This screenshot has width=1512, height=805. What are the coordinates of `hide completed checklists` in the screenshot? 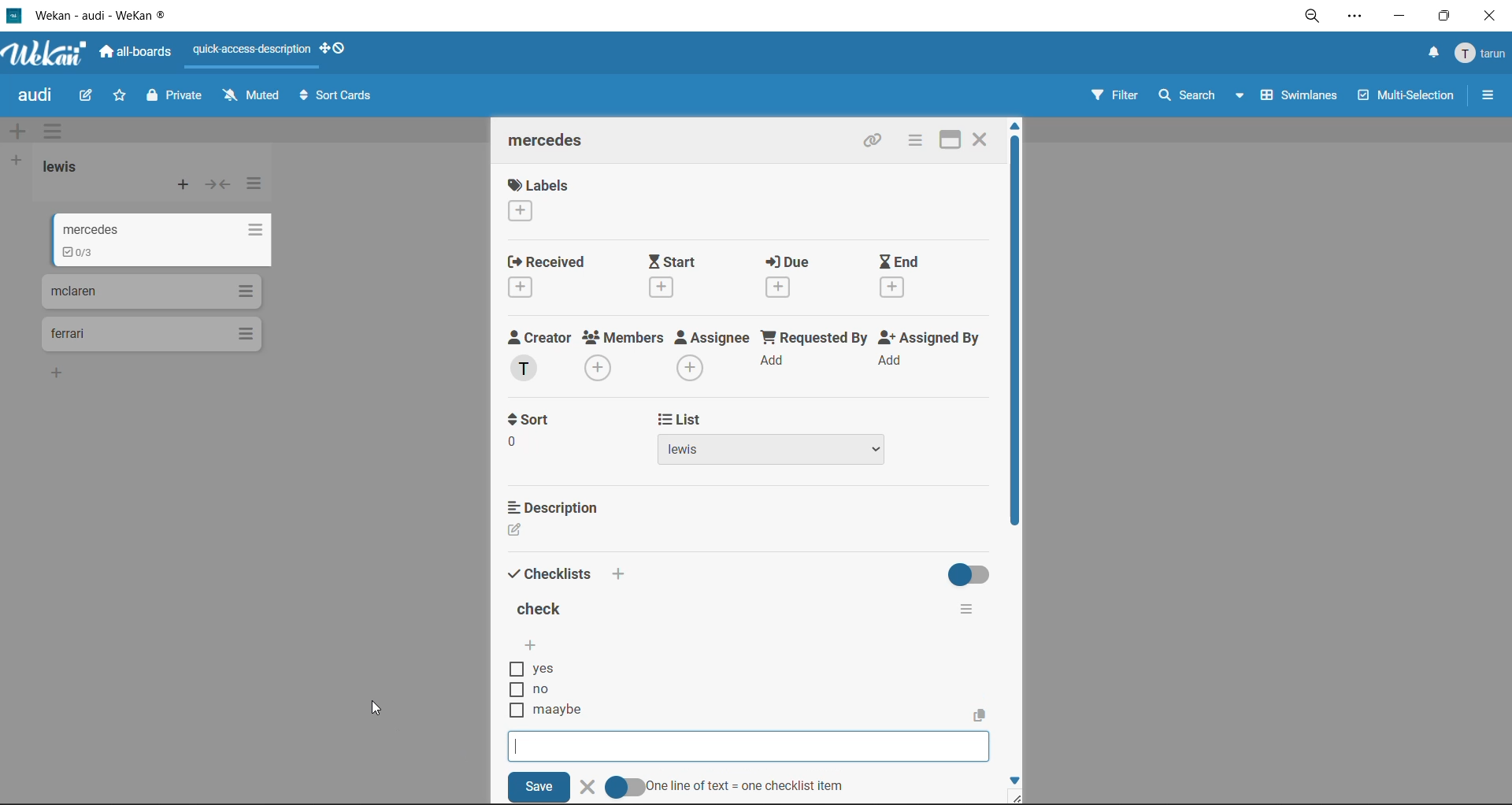 It's located at (973, 573).